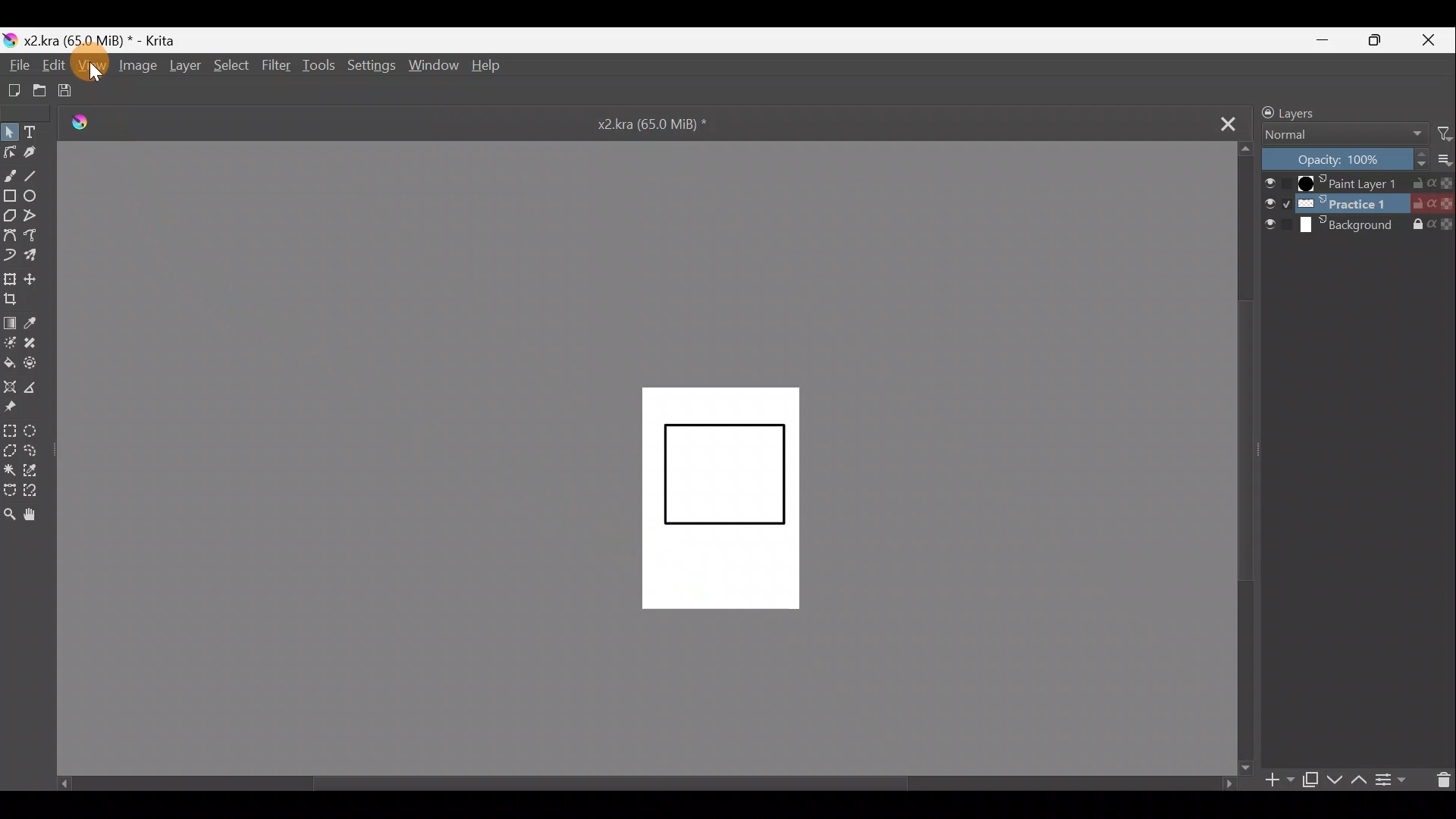 This screenshot has width=1456, height=819. Describe the element at coordinates (10, 194) in the screenshot. I see `Rectangle tool` at that location.